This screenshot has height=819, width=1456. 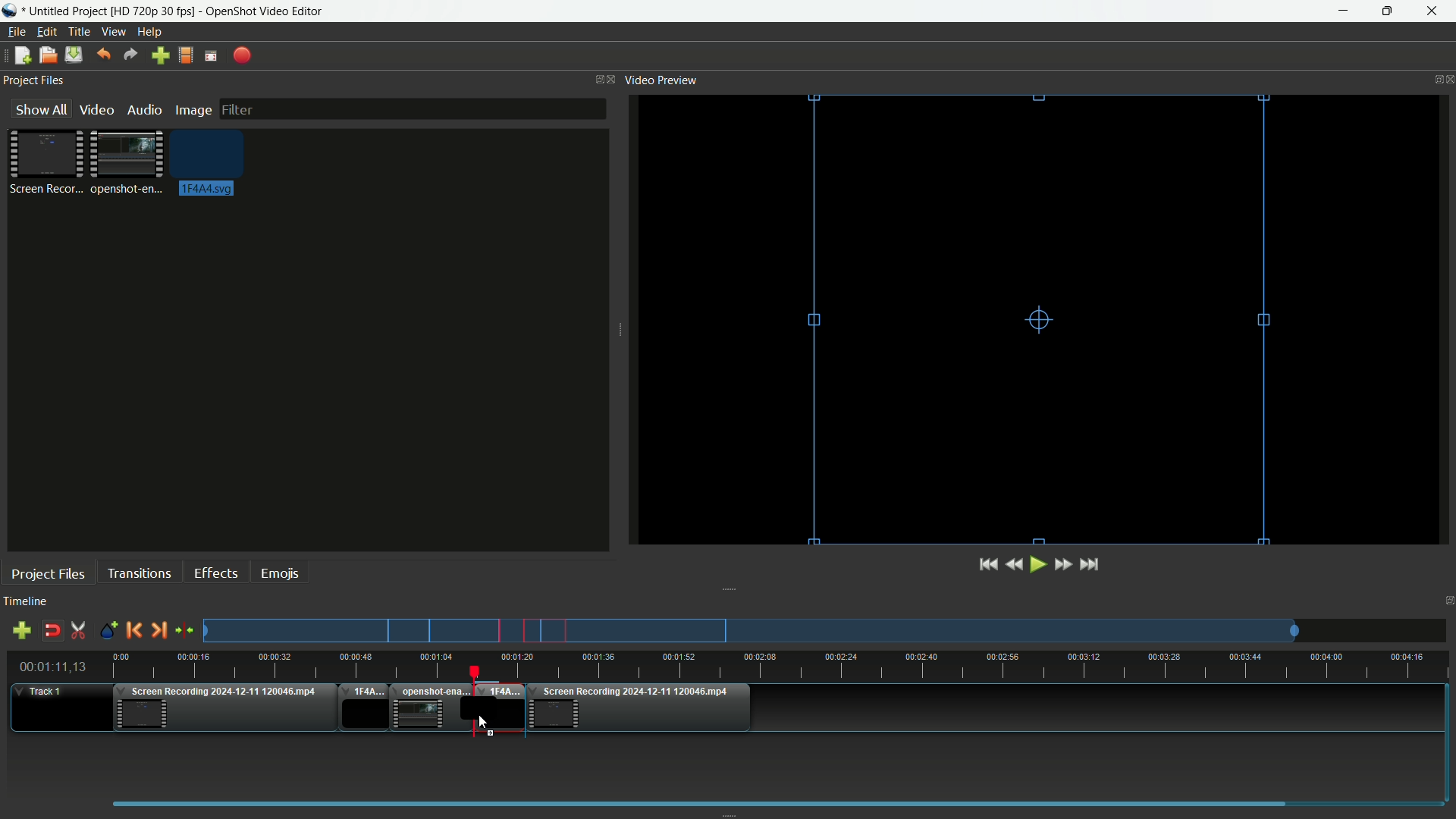 What do you see at coordinates (280, 572) in the screenshot?
I see `Emojis` at bounding box center [280, 572].